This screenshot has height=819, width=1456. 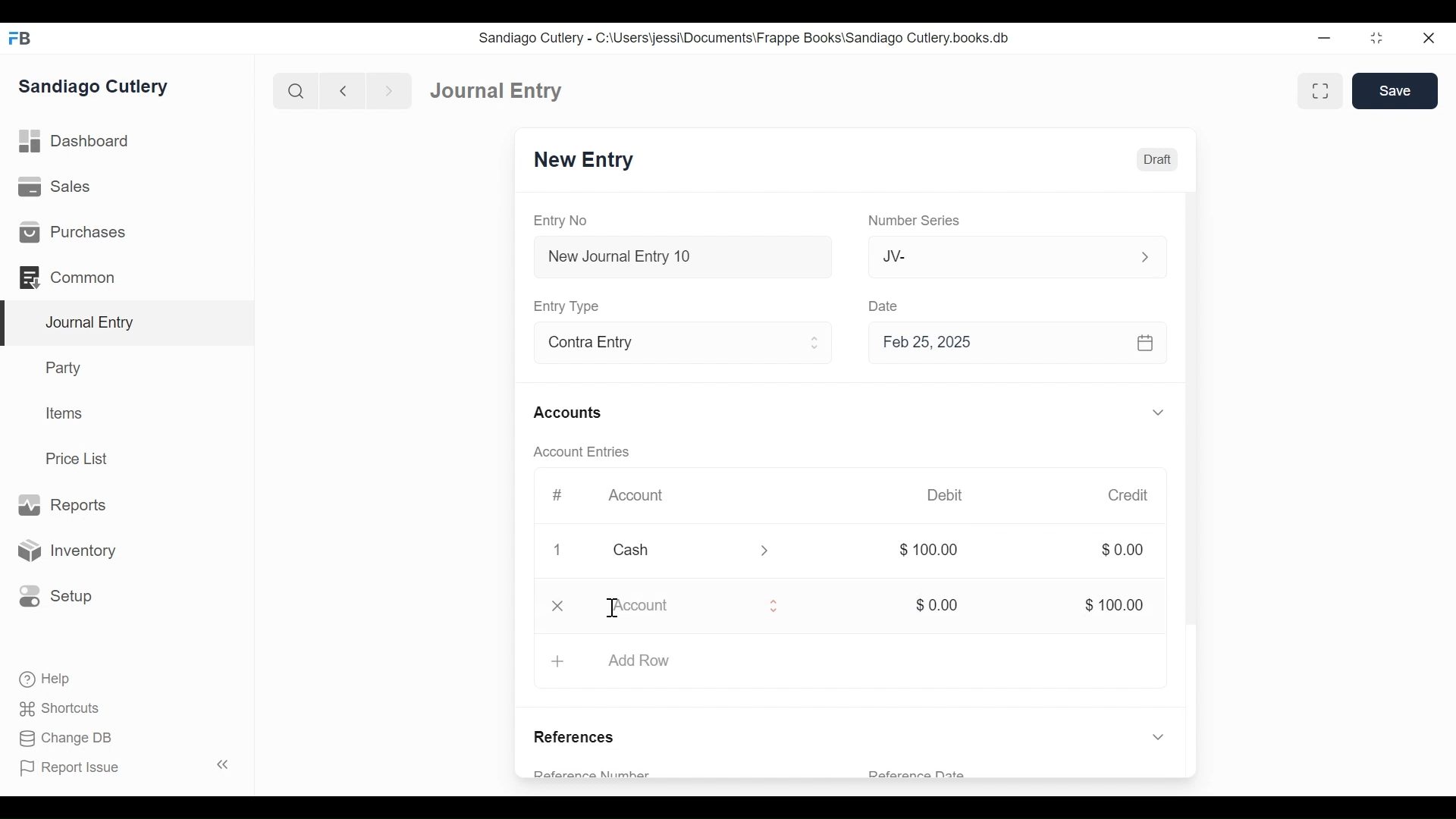 I want to click on $0.00, so click(x=1127, y=551).